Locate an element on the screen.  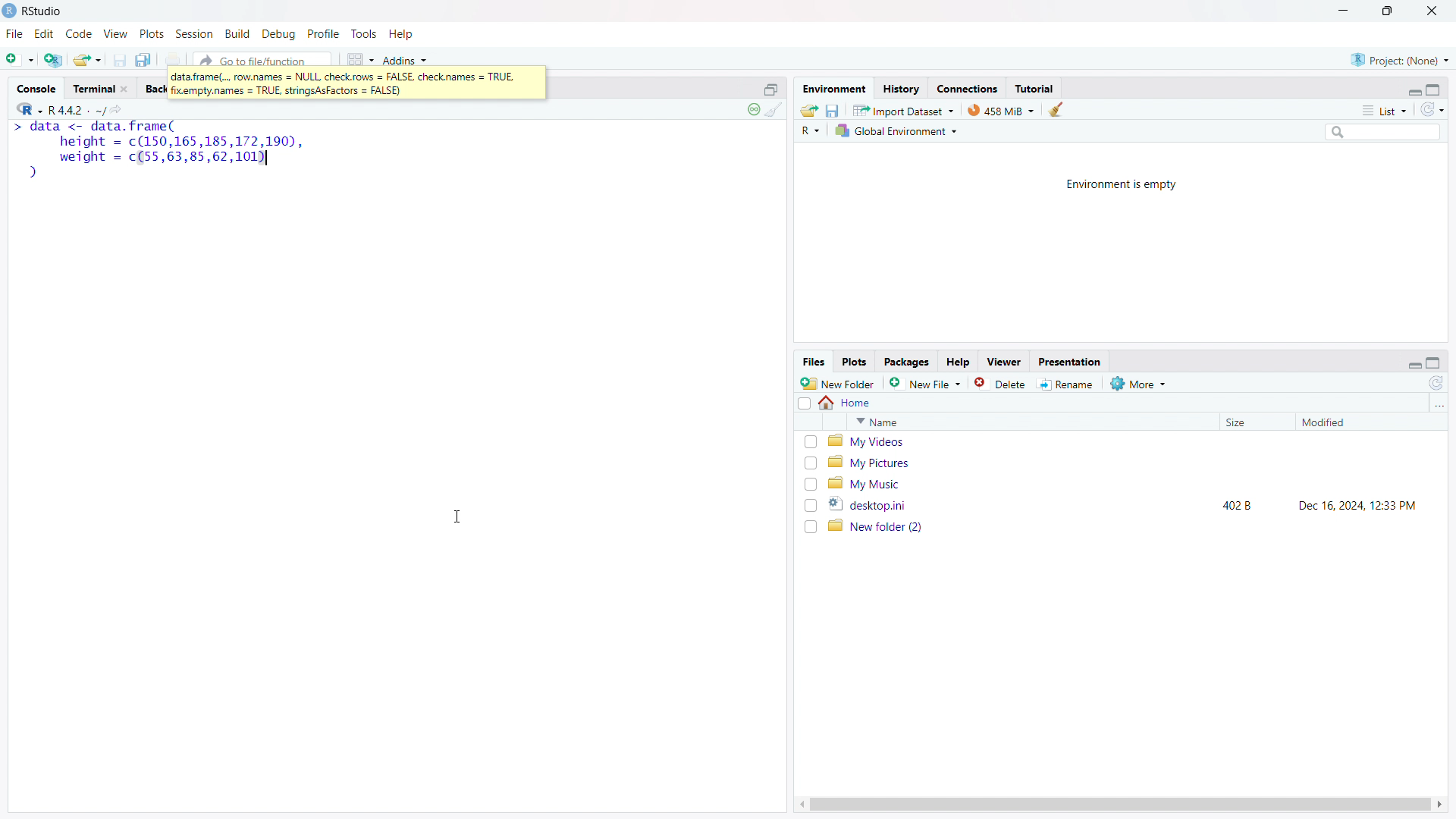
size is located at coordinates (1253, 422).